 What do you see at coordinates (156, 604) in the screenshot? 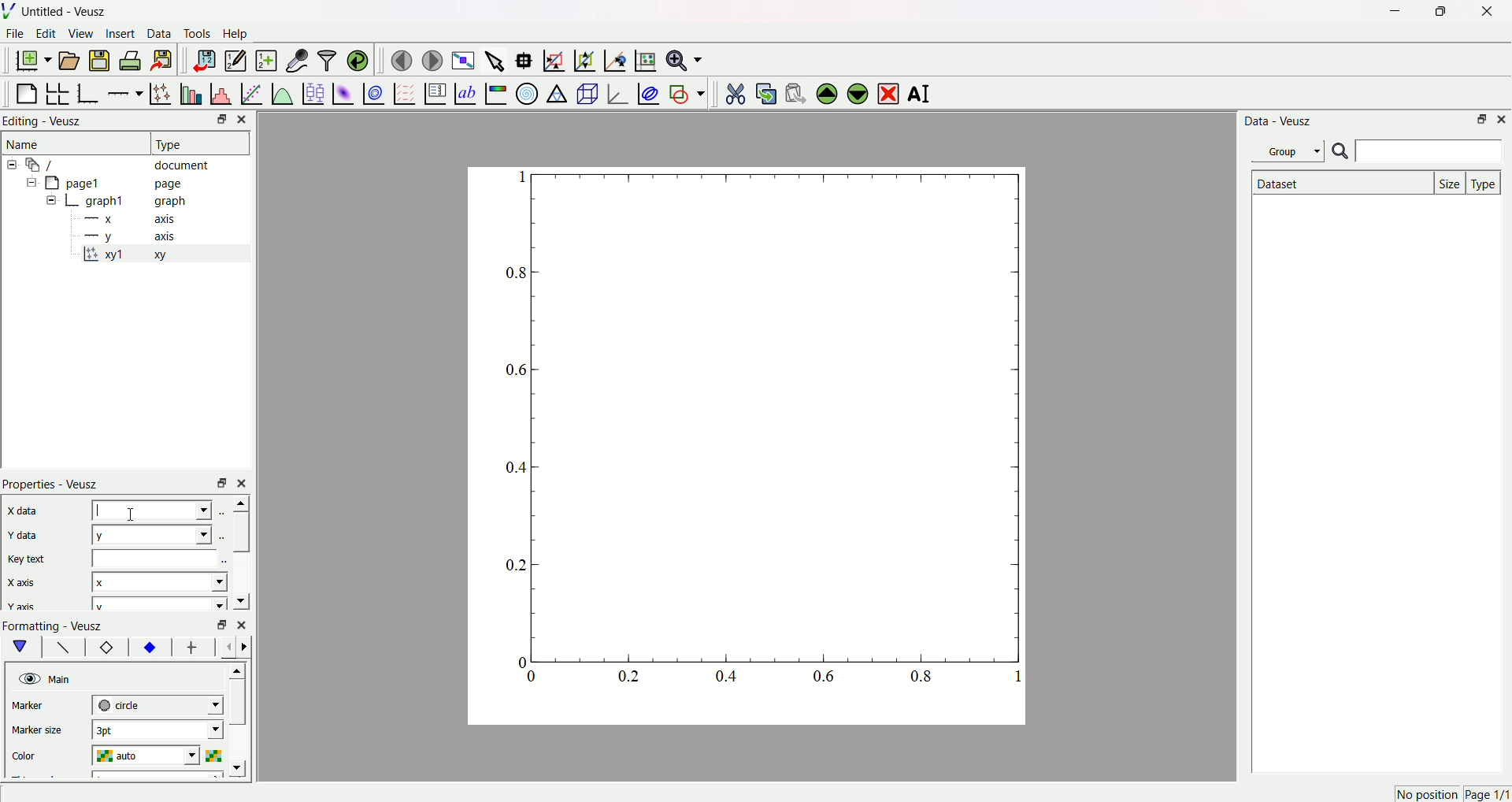
I see `y` at bounding box center [156, 604].